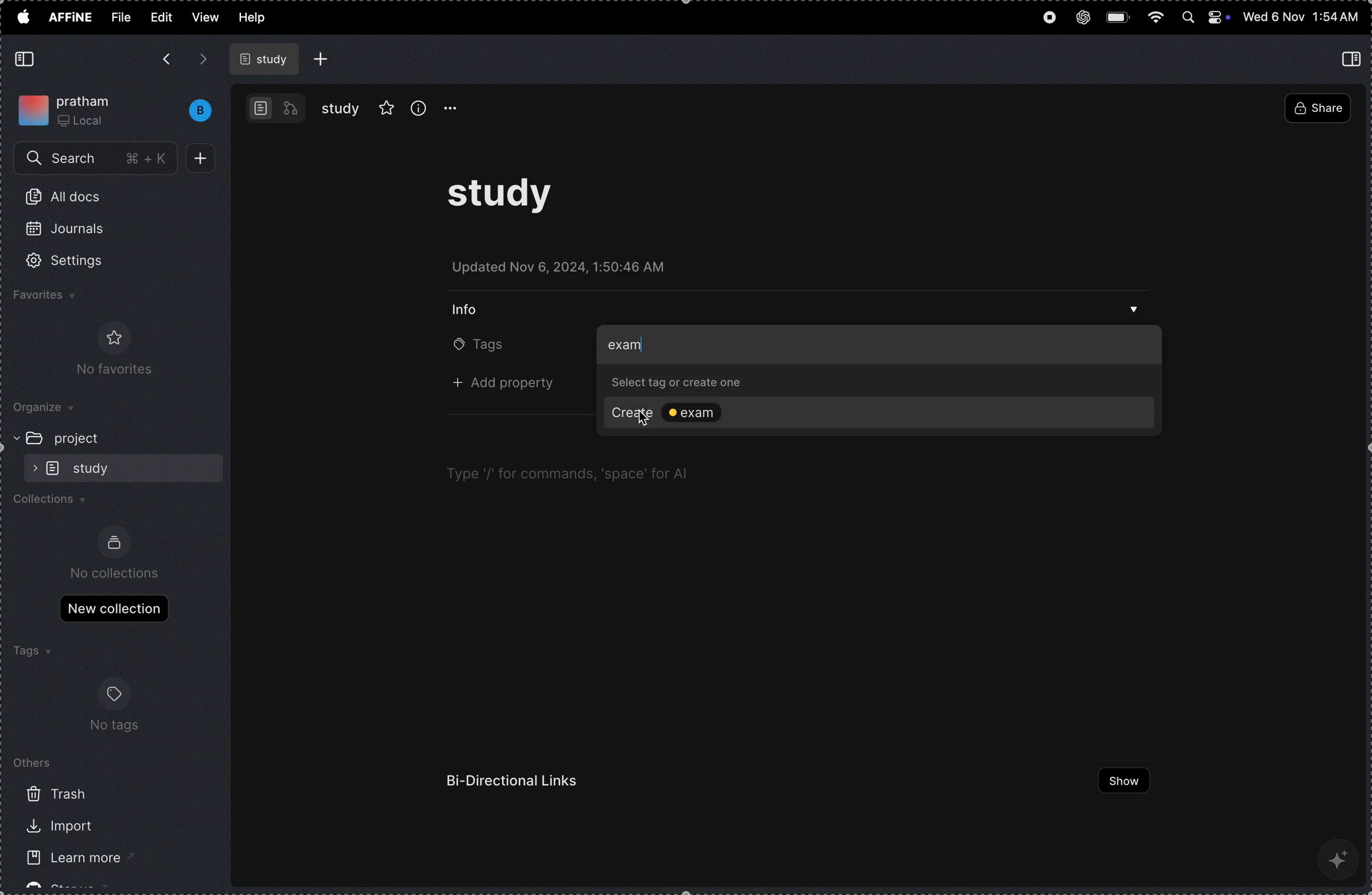 This screenshot has height=895, width=1372. What do you see at coordinates (341, 108) in the screenshot?
I see `study` at bounding box center [341, 108].